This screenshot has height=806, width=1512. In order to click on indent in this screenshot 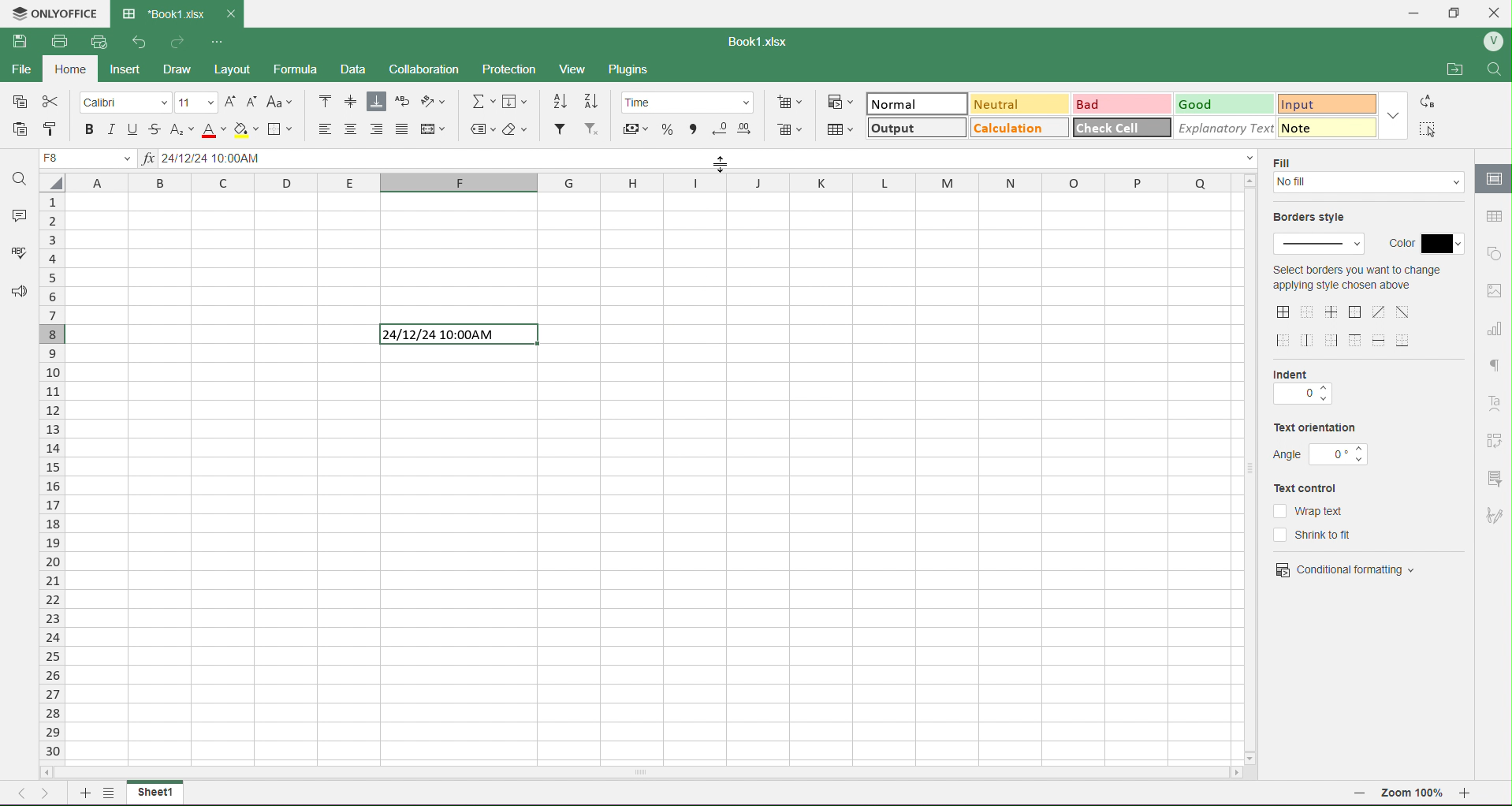, I will do `click(1302, 396)`.